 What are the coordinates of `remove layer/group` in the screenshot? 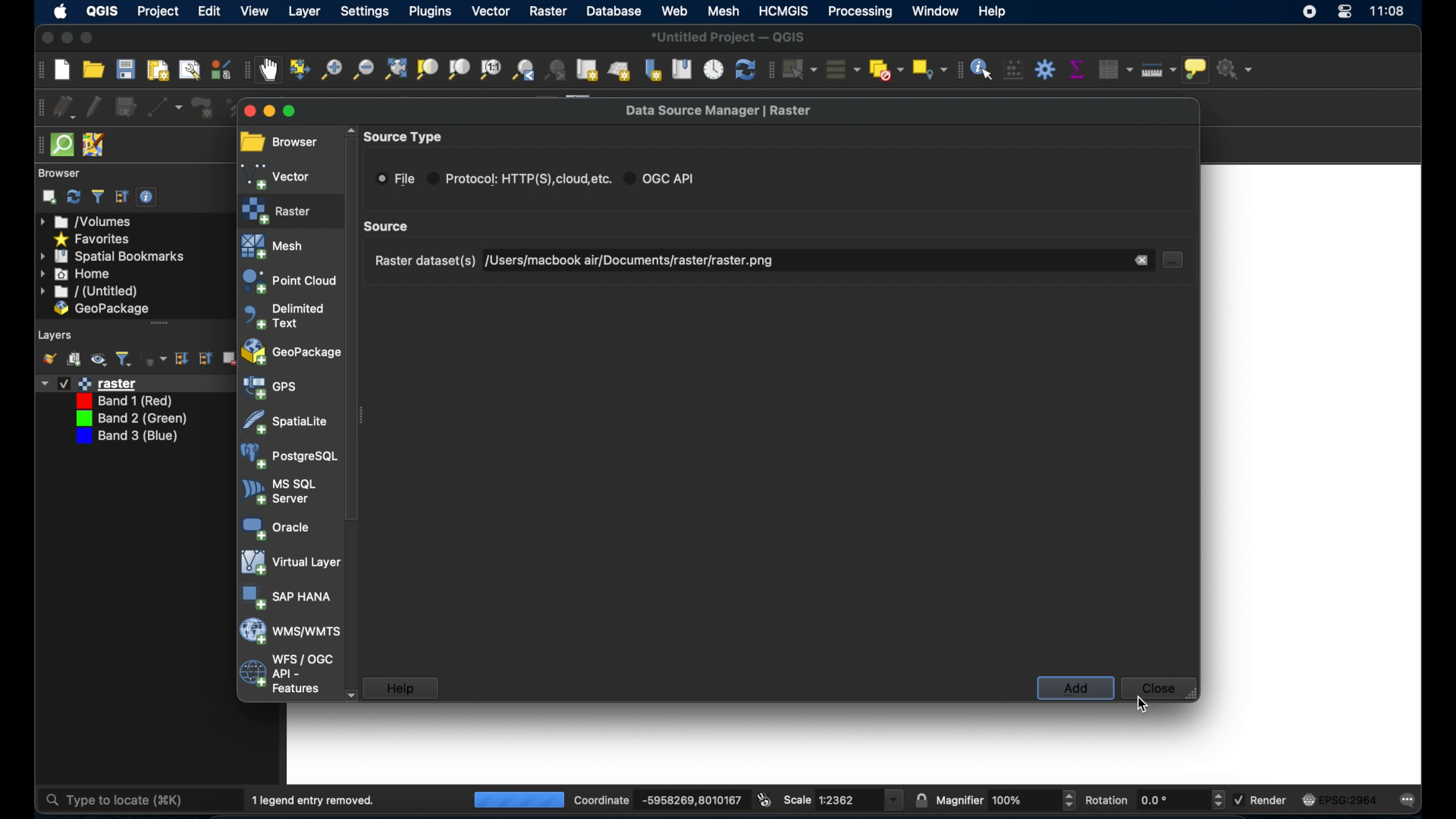 It's located at (229, 358).